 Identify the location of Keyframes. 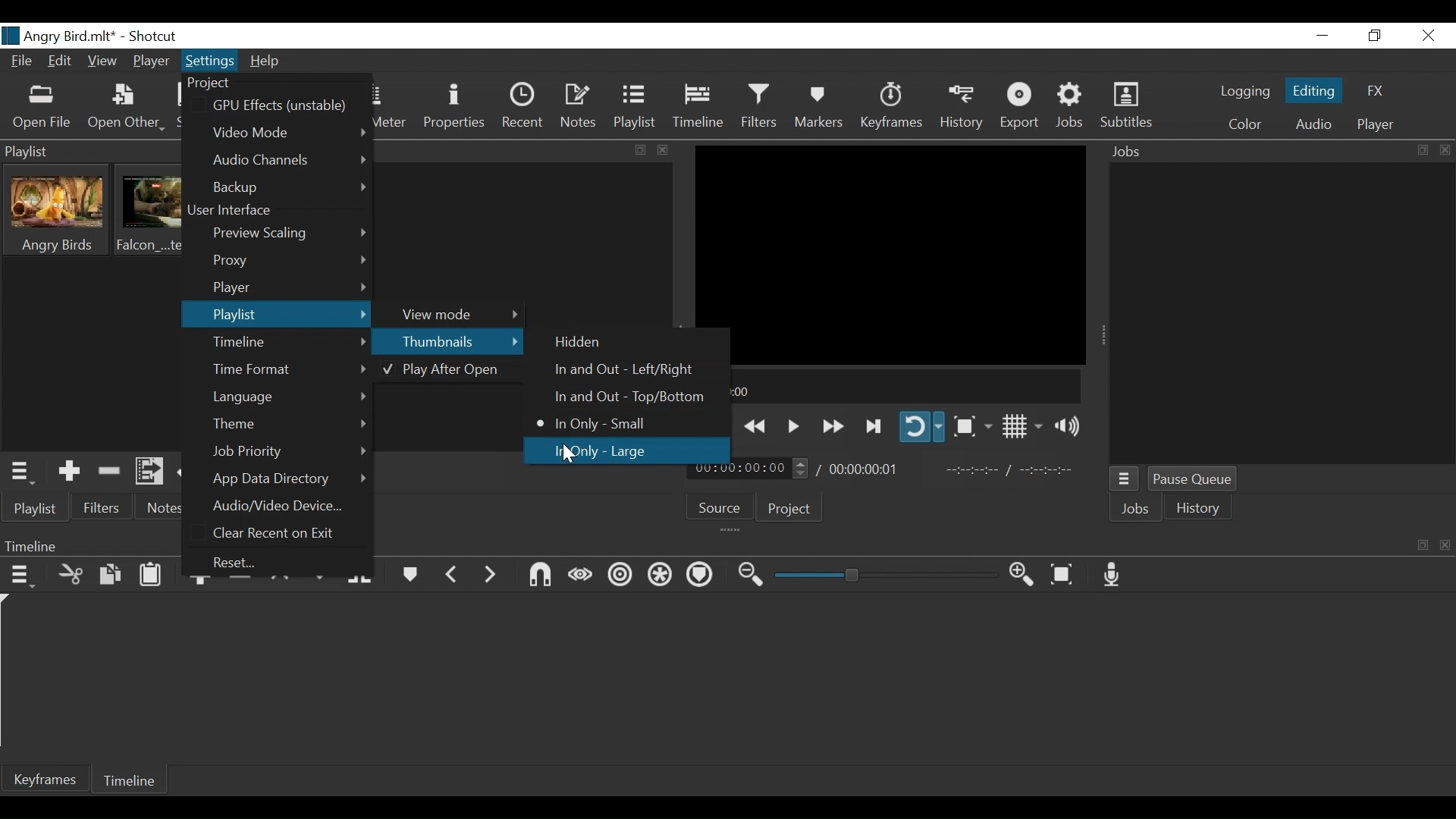
(45, 778).